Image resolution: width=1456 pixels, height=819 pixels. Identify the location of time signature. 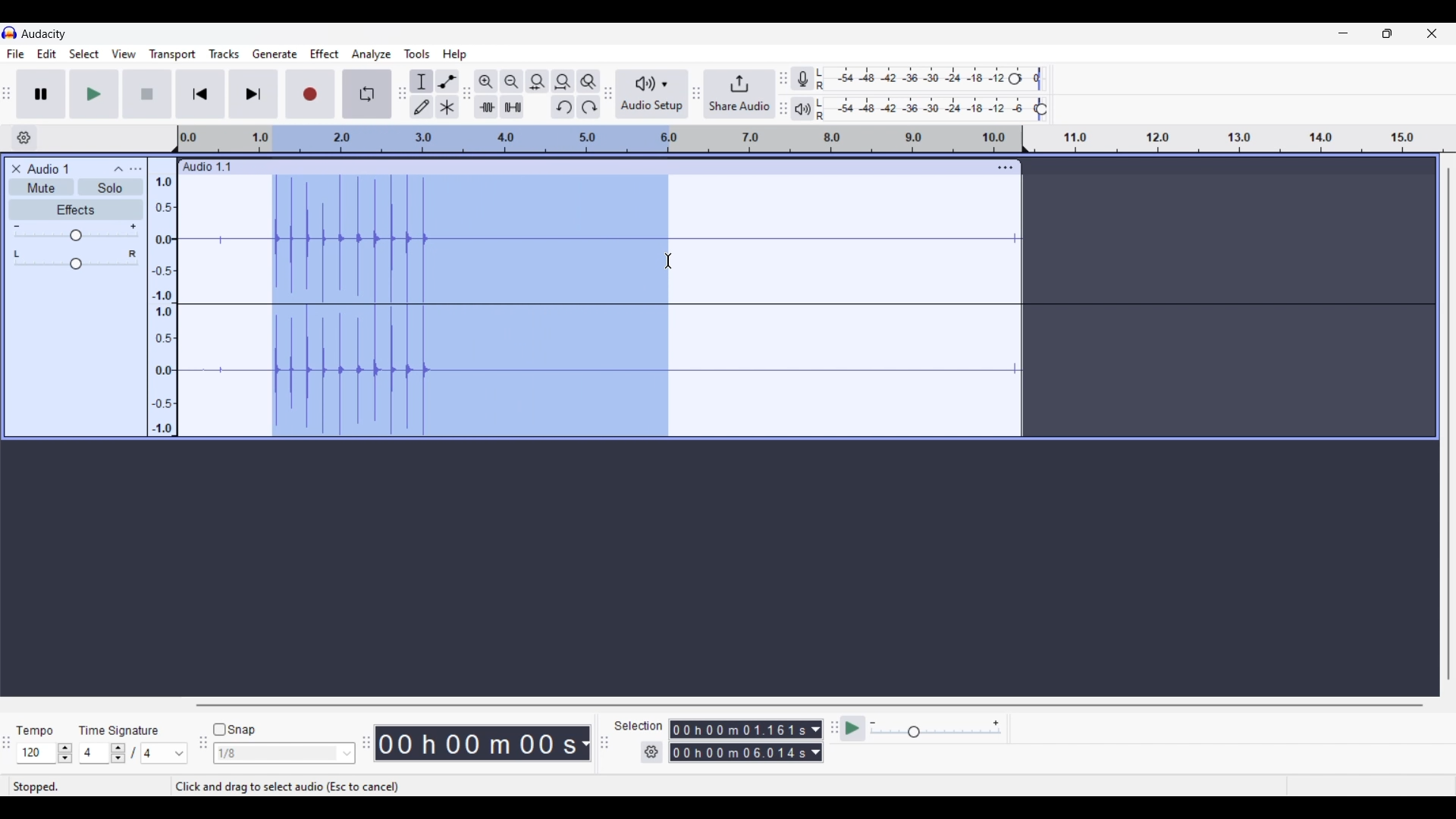
(118, 733).